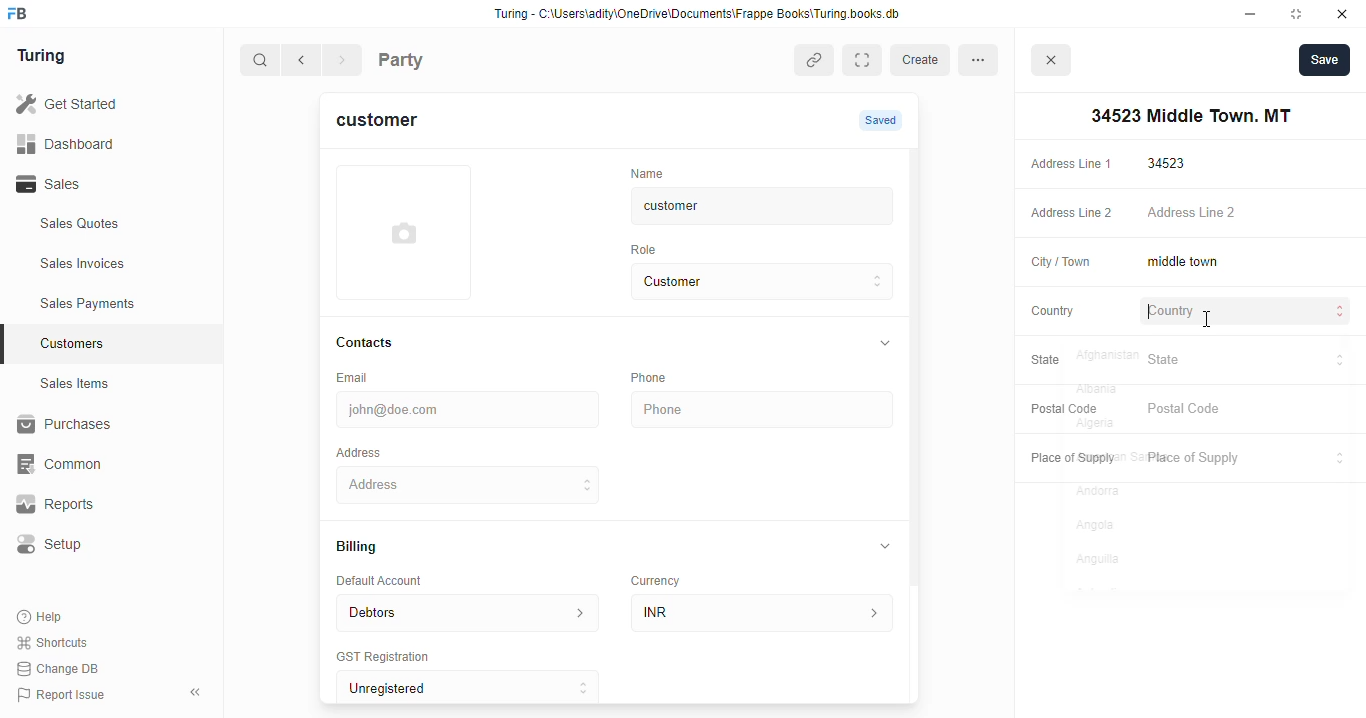  Describe the element at coordinates (1067, 214) in the screenshot. I see `Address Line 2` at that location.